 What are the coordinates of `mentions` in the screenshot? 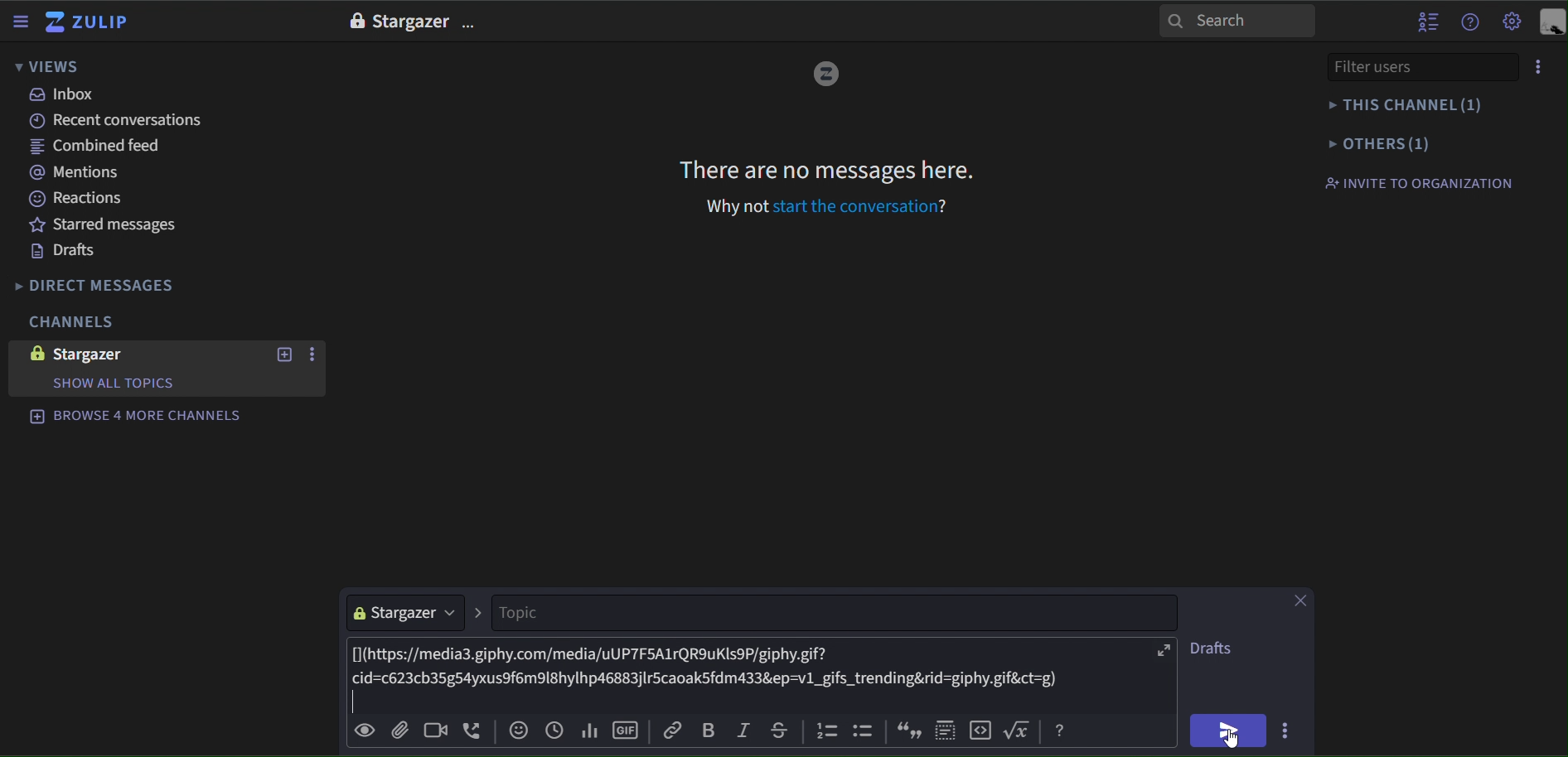 It's located at (82, 174).